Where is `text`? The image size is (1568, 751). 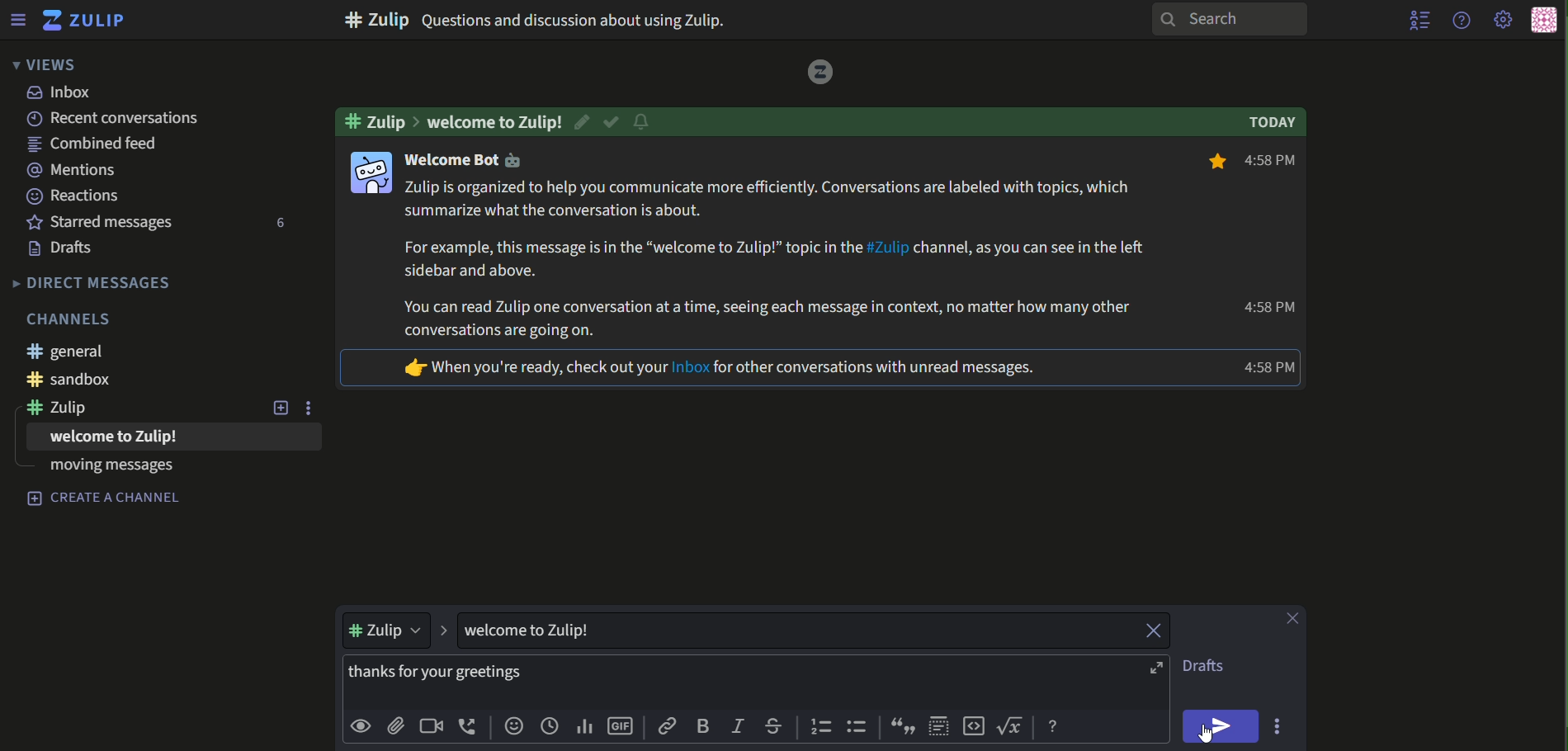
text is located at coordinates (74, 196).